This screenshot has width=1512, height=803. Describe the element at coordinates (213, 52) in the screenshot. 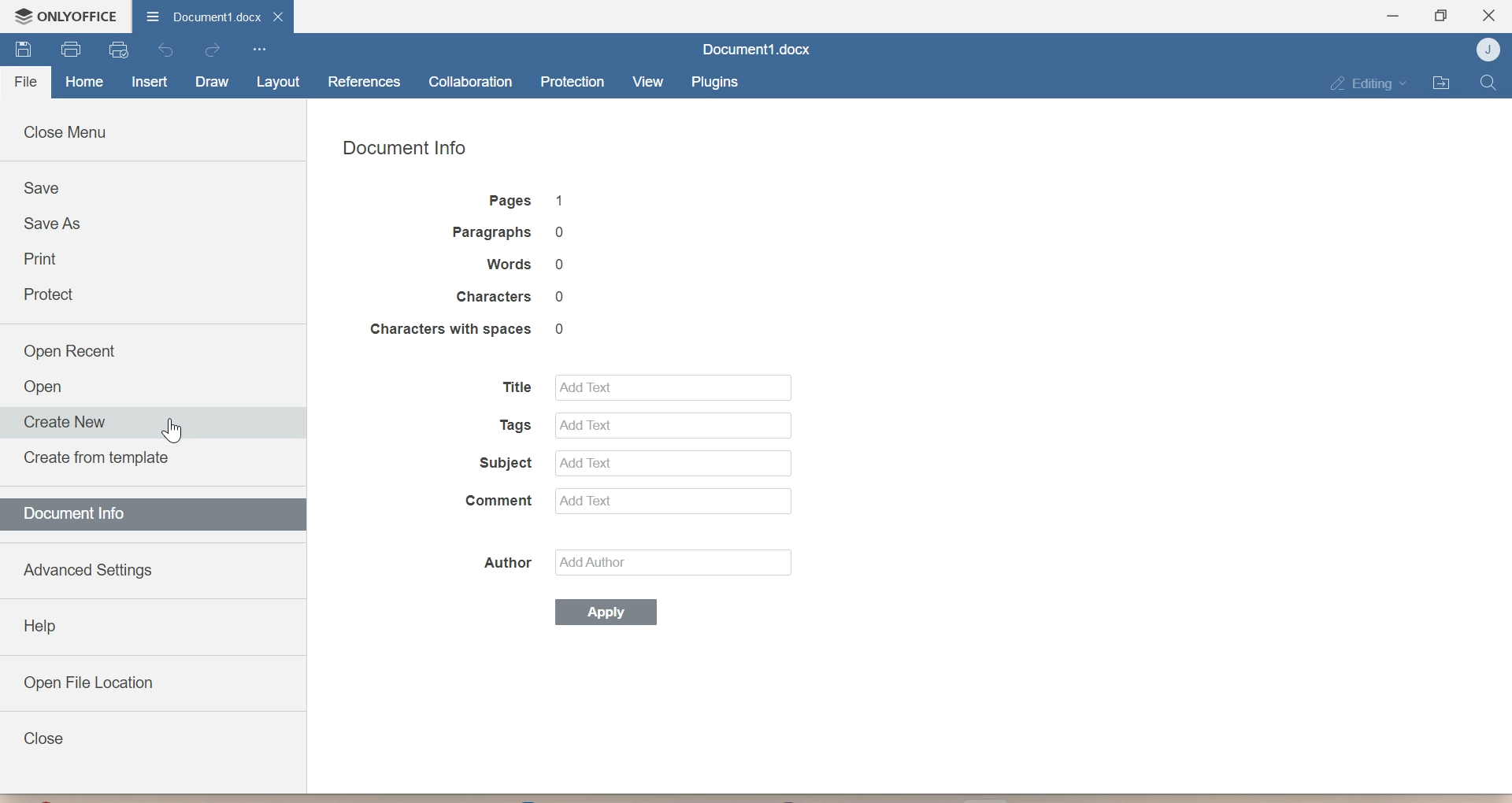

I see `Redo` at that location.